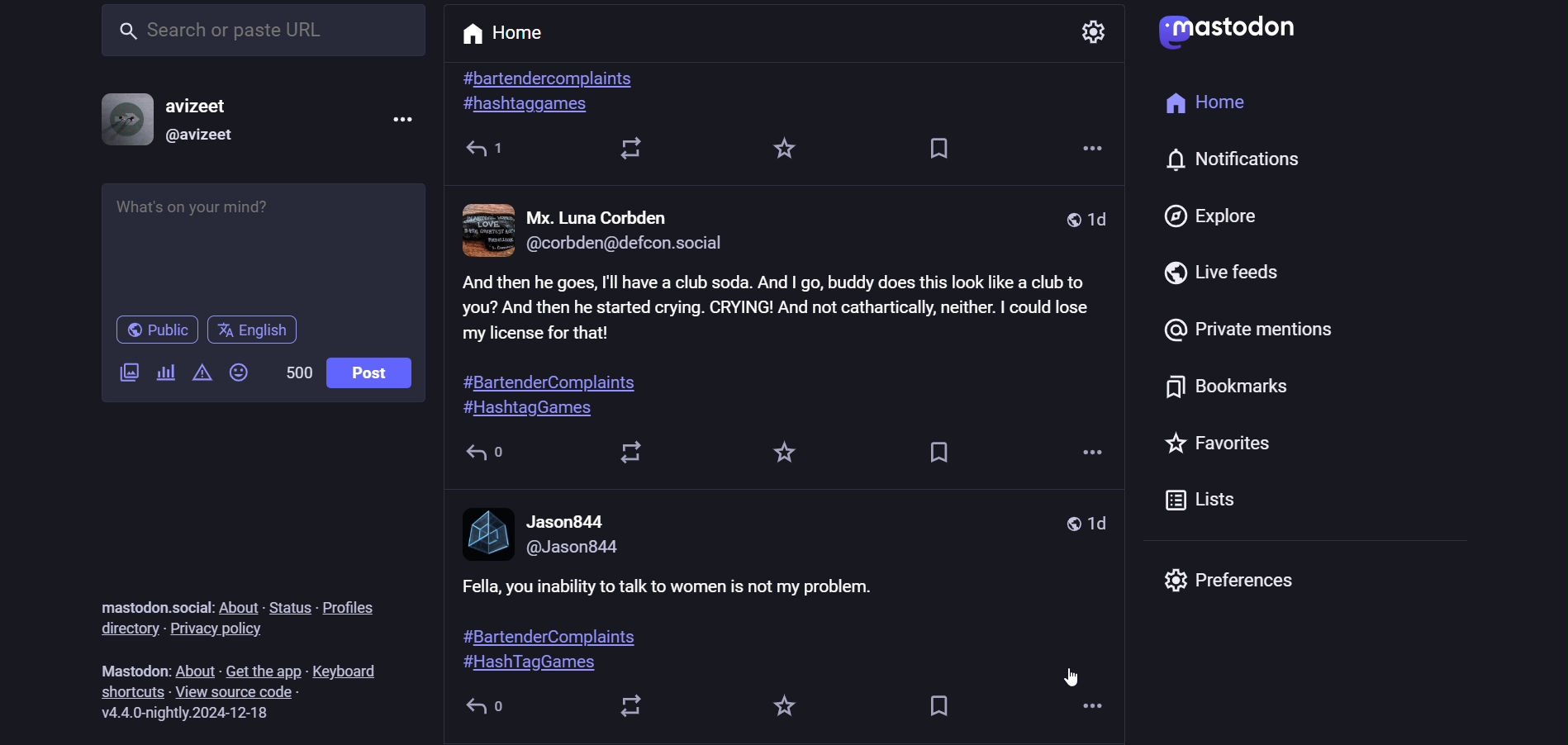  Describe the element at coordinates (781, 349) in the screenshot. I see `new posts updated` at that location.